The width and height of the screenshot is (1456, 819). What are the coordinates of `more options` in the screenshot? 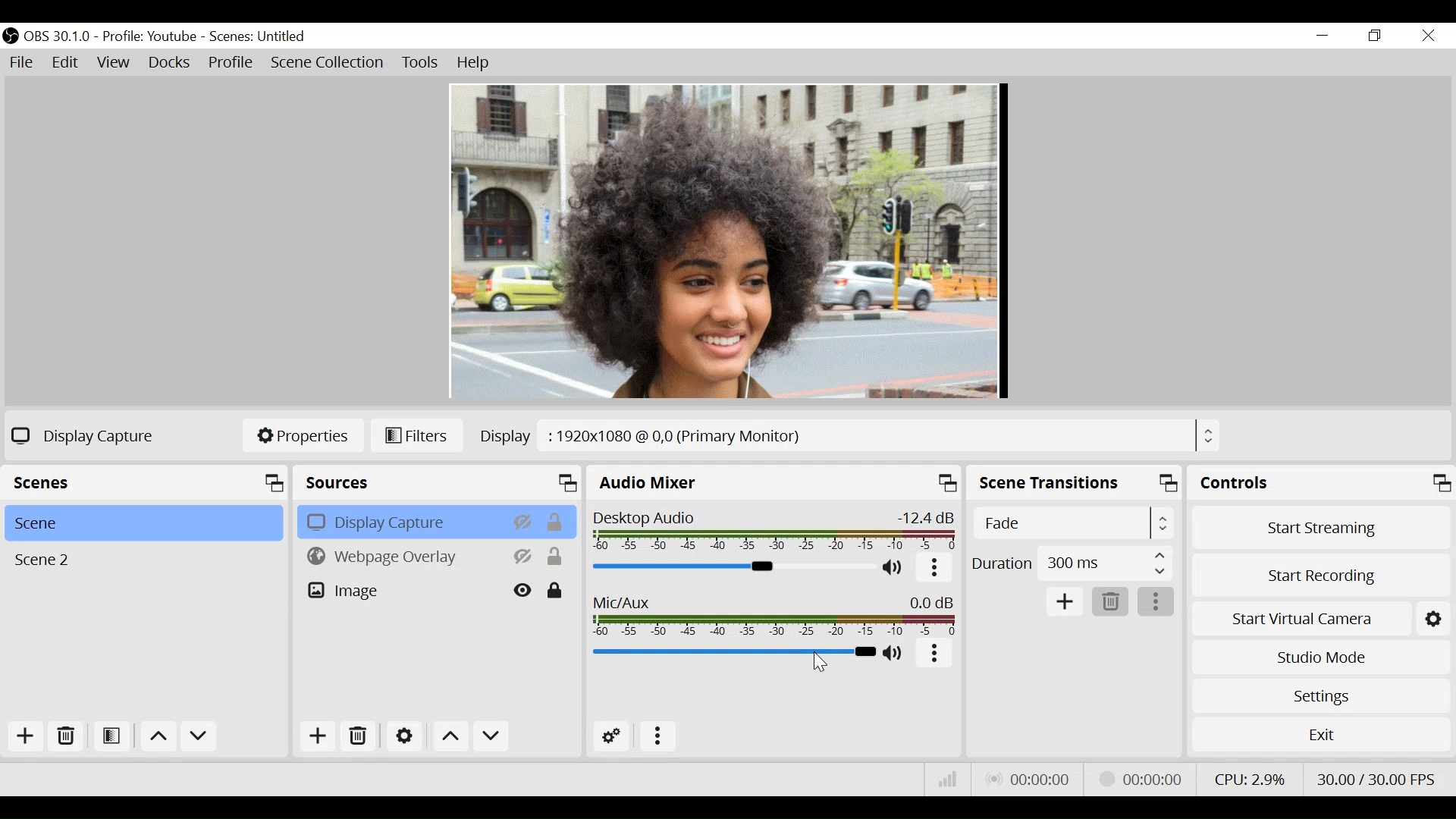 It's located at (934, 654).